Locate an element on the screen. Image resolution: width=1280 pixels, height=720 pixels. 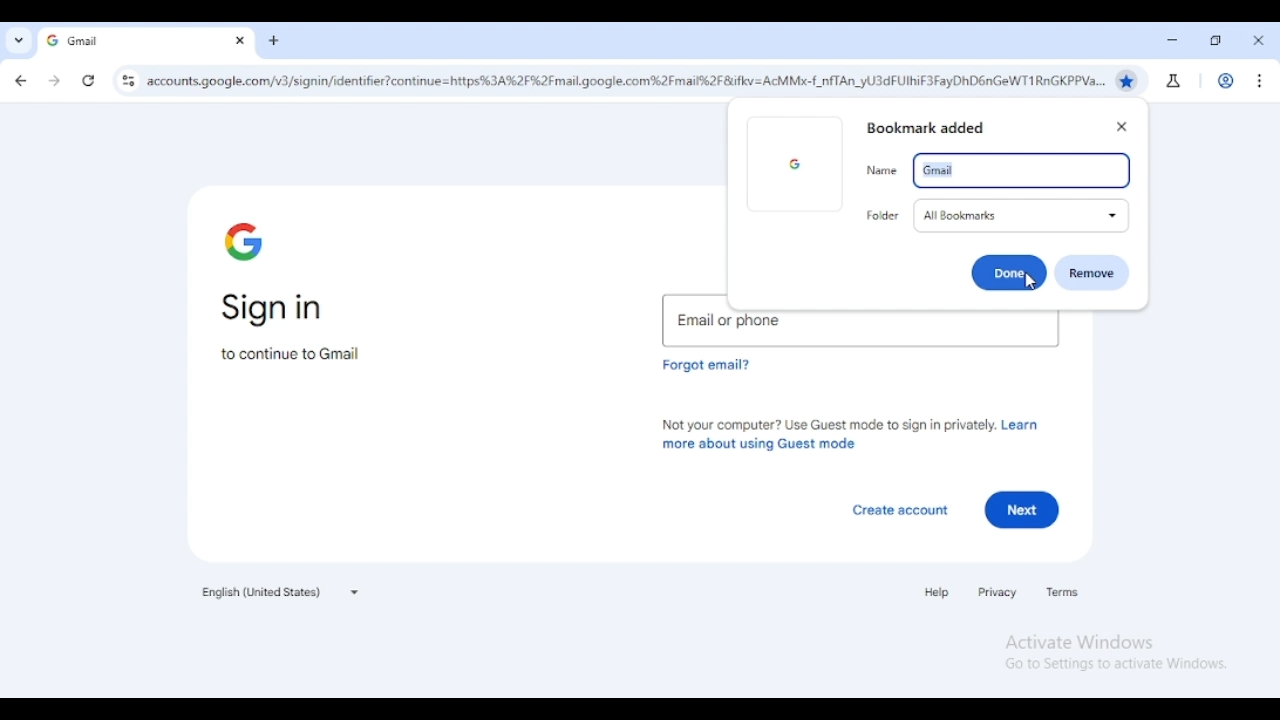
remove is located at coordinates (1094, 273).